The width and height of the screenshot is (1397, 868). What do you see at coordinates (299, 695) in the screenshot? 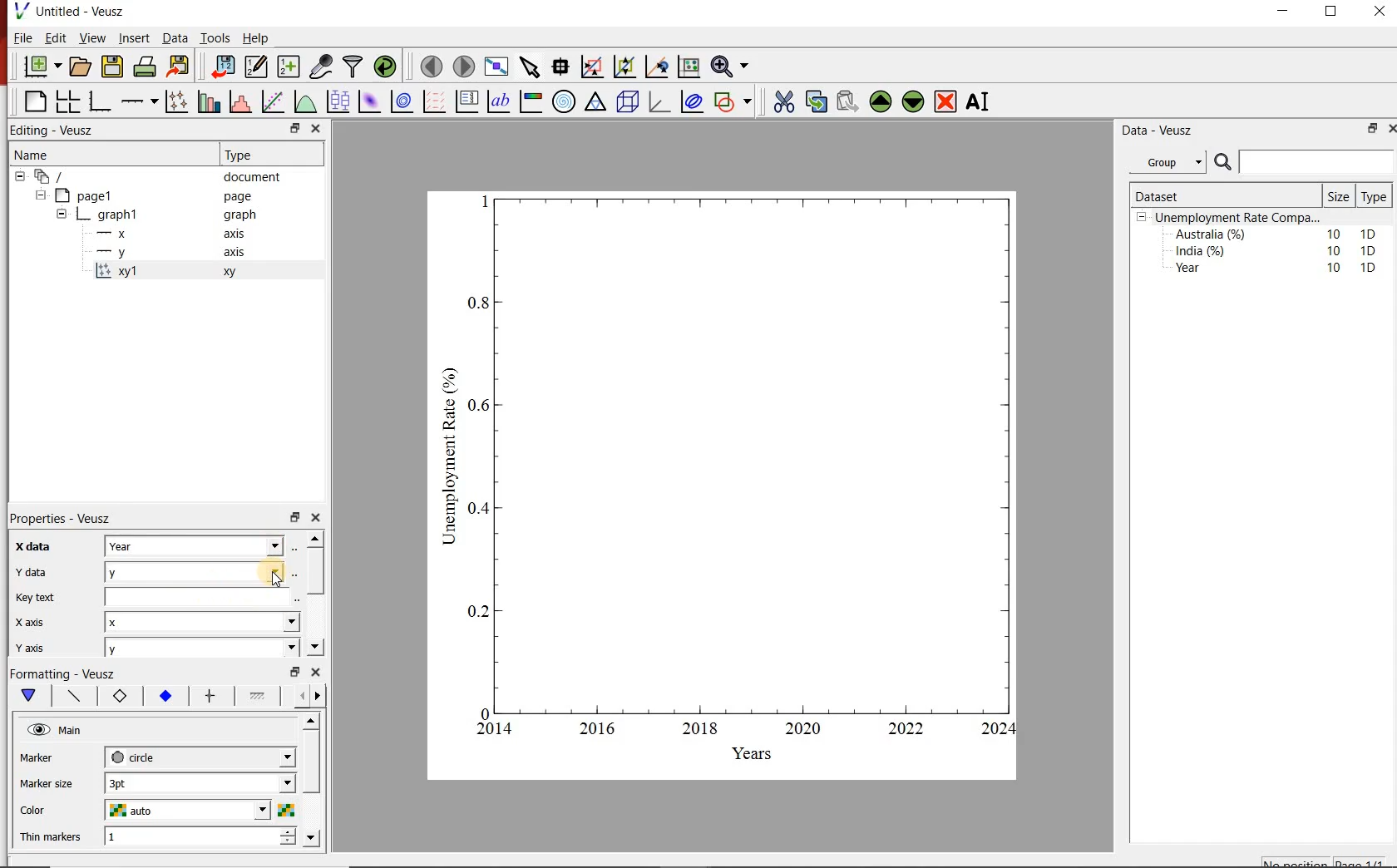
I see `more left` at bounding box center [299, 695].